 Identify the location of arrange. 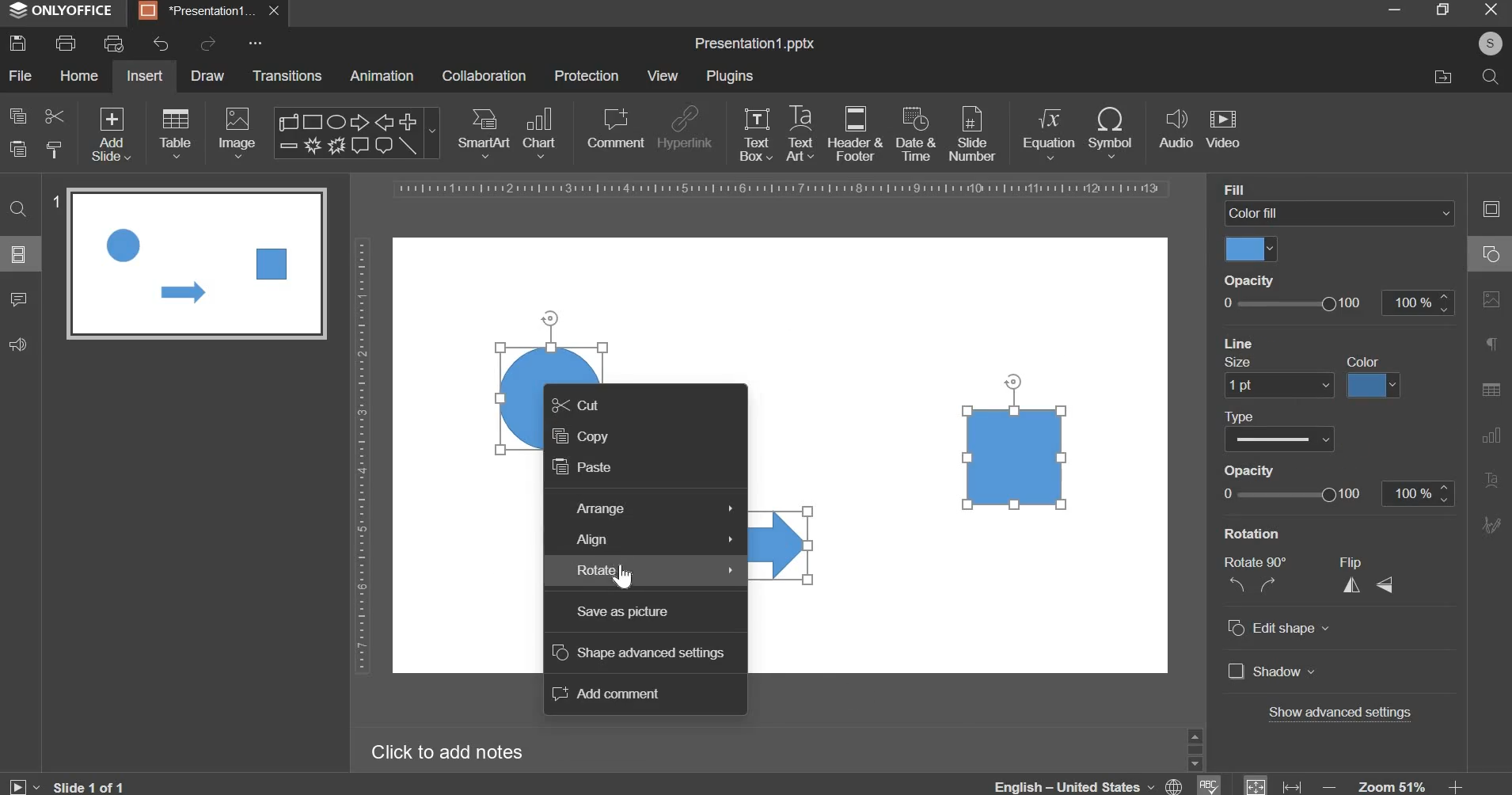
(652, 510).